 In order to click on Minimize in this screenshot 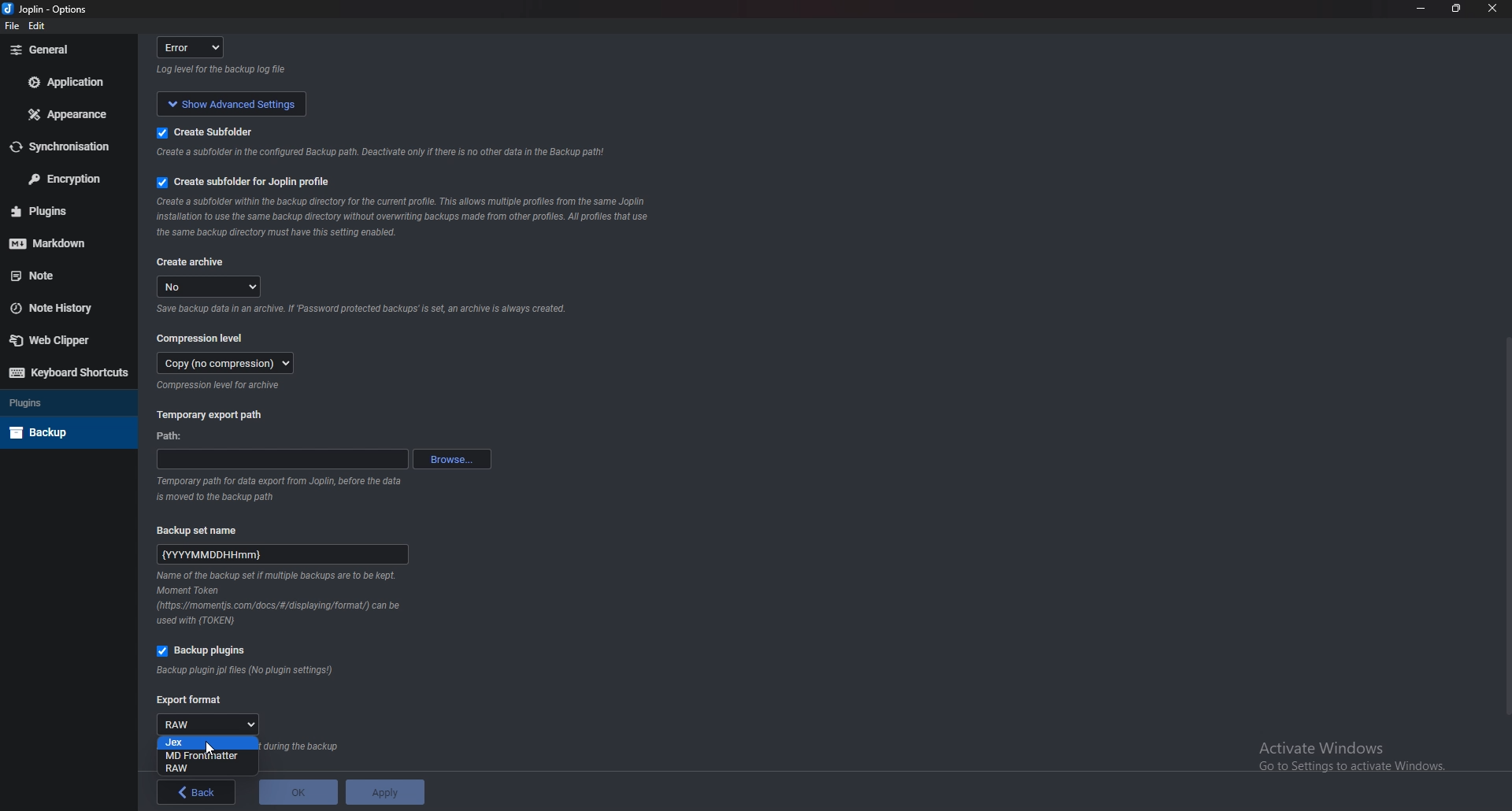, I will do `click(1423, 8)`.